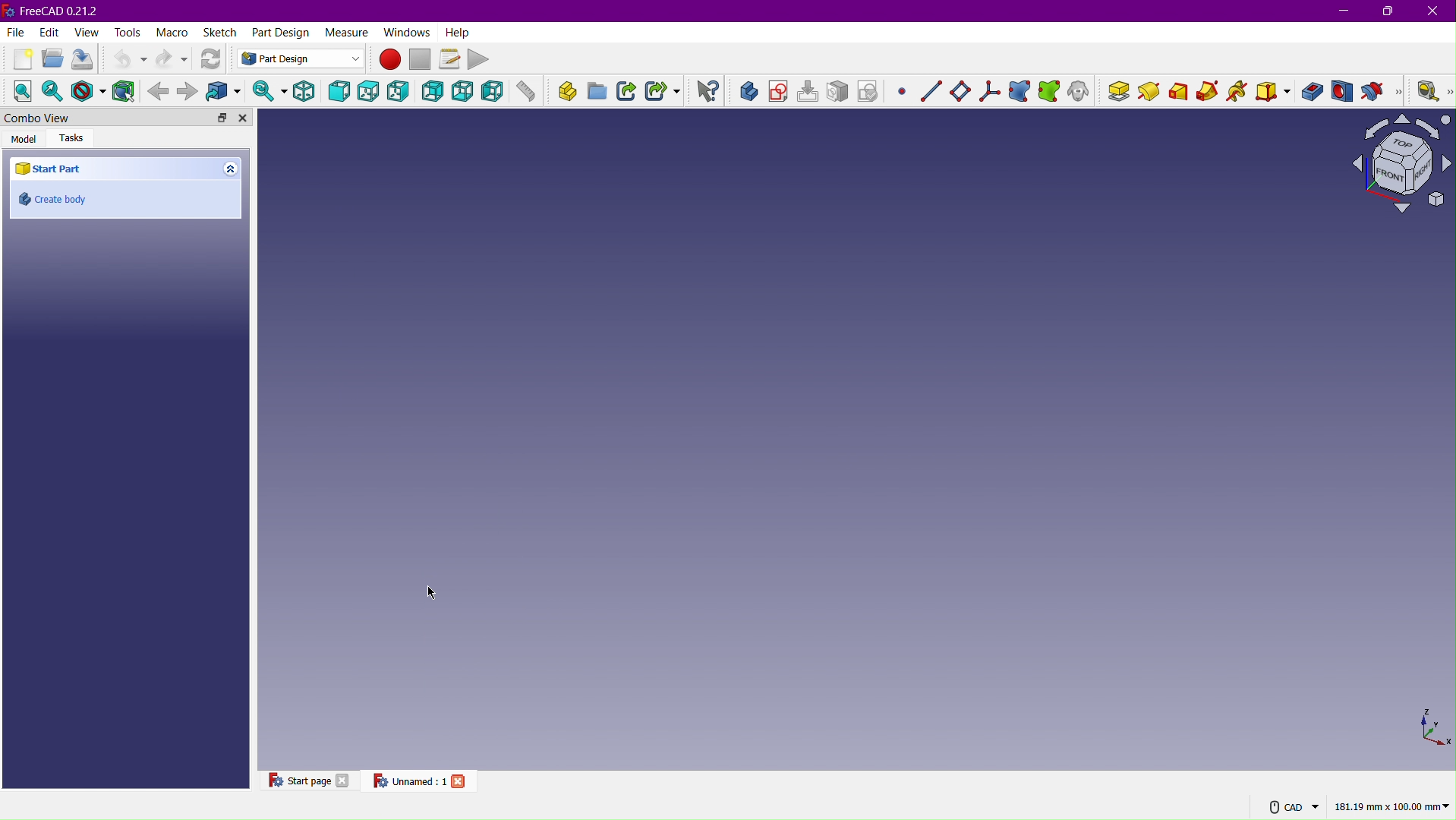 The height and width of the screenshot is (820, 1456). What do you see at coordinates (269, 92) in the screenshot?
I see `Sync view` at bounding box center [269, 92].